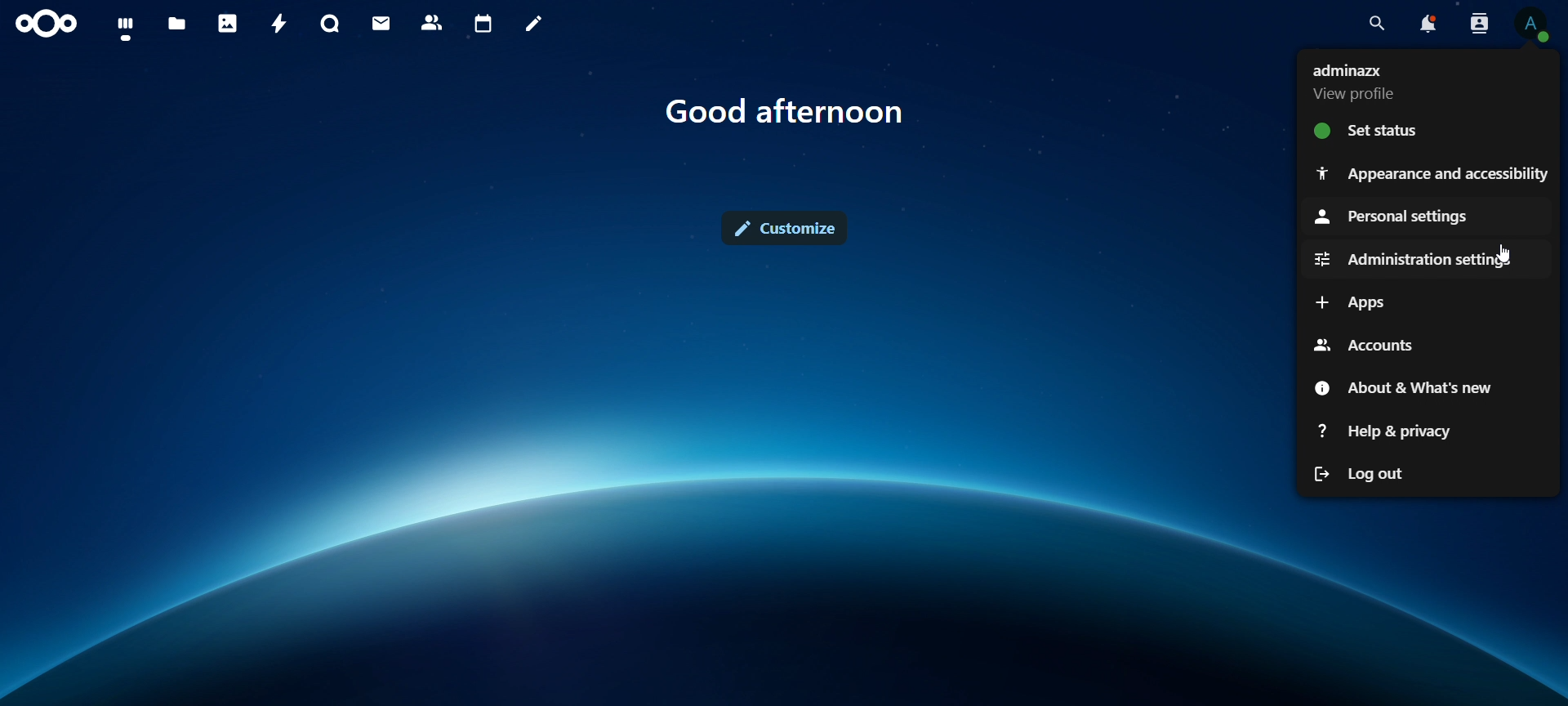 The image size is (1568, 706). What do you see at coordinates (1373, 24) in the screenshot?
I see `search` at bounding box center [1373, 24].